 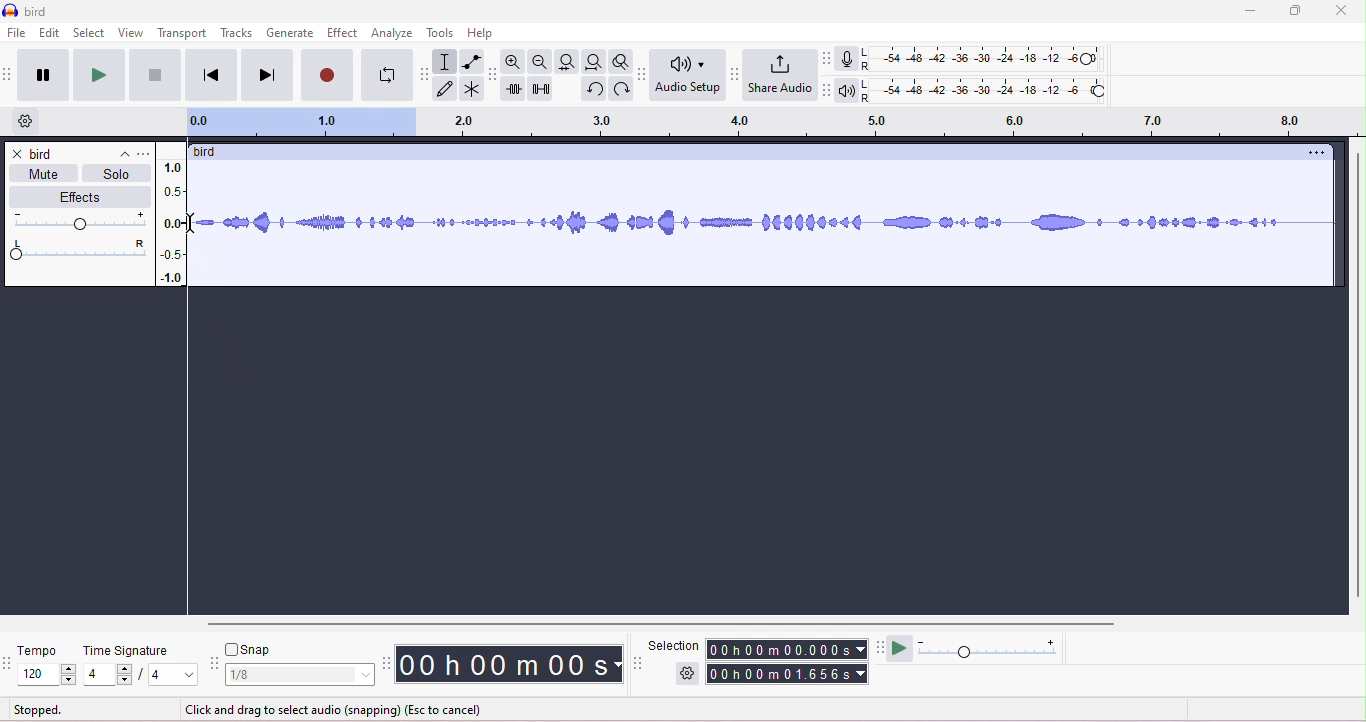 What do you see at coordinates (9, 659) in the screenshot?
I see `time signature toolbar` at bounding box center [9, 659].